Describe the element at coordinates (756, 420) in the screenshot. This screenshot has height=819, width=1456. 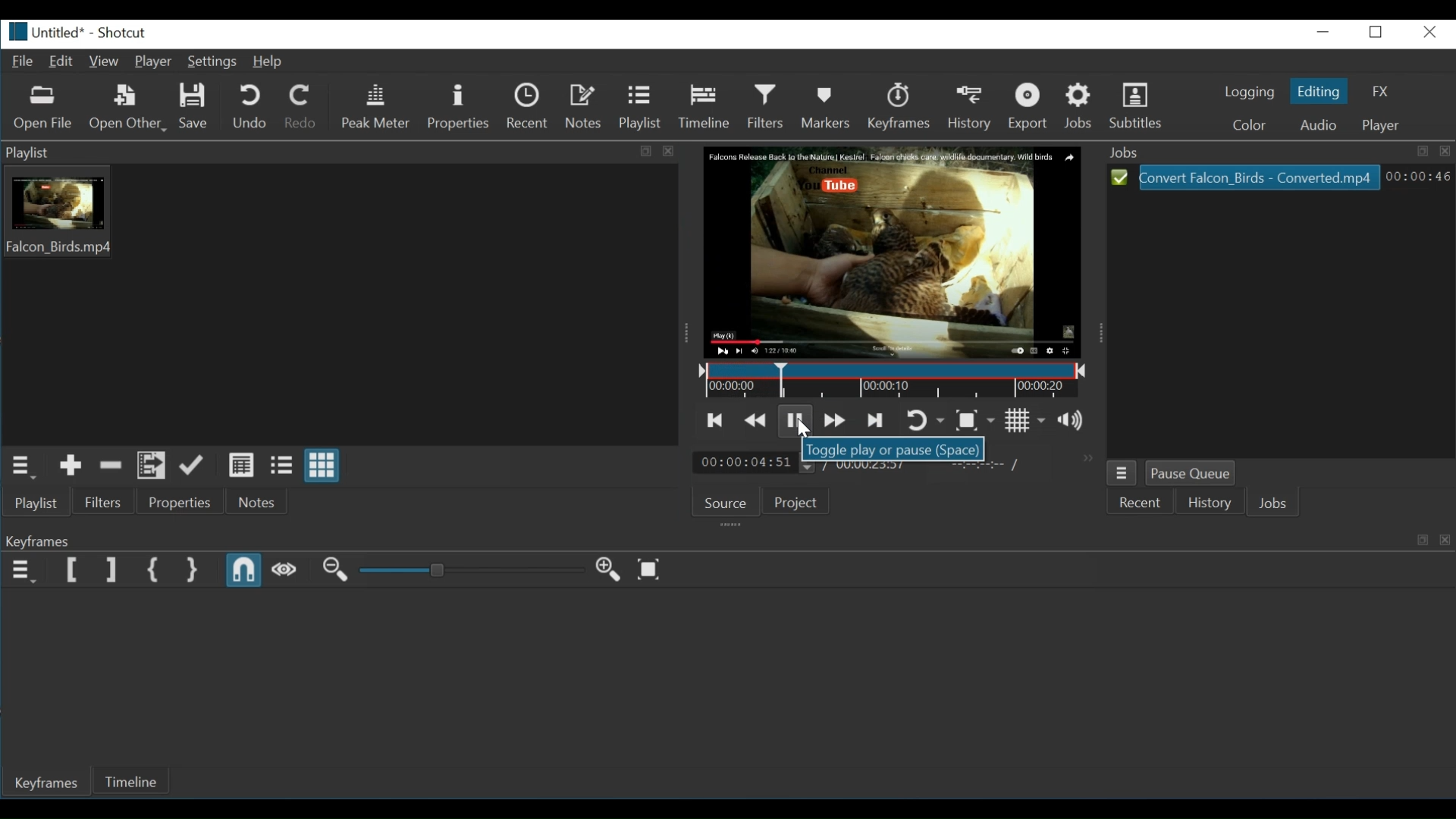
I see `Play quickly backwards` at that location.